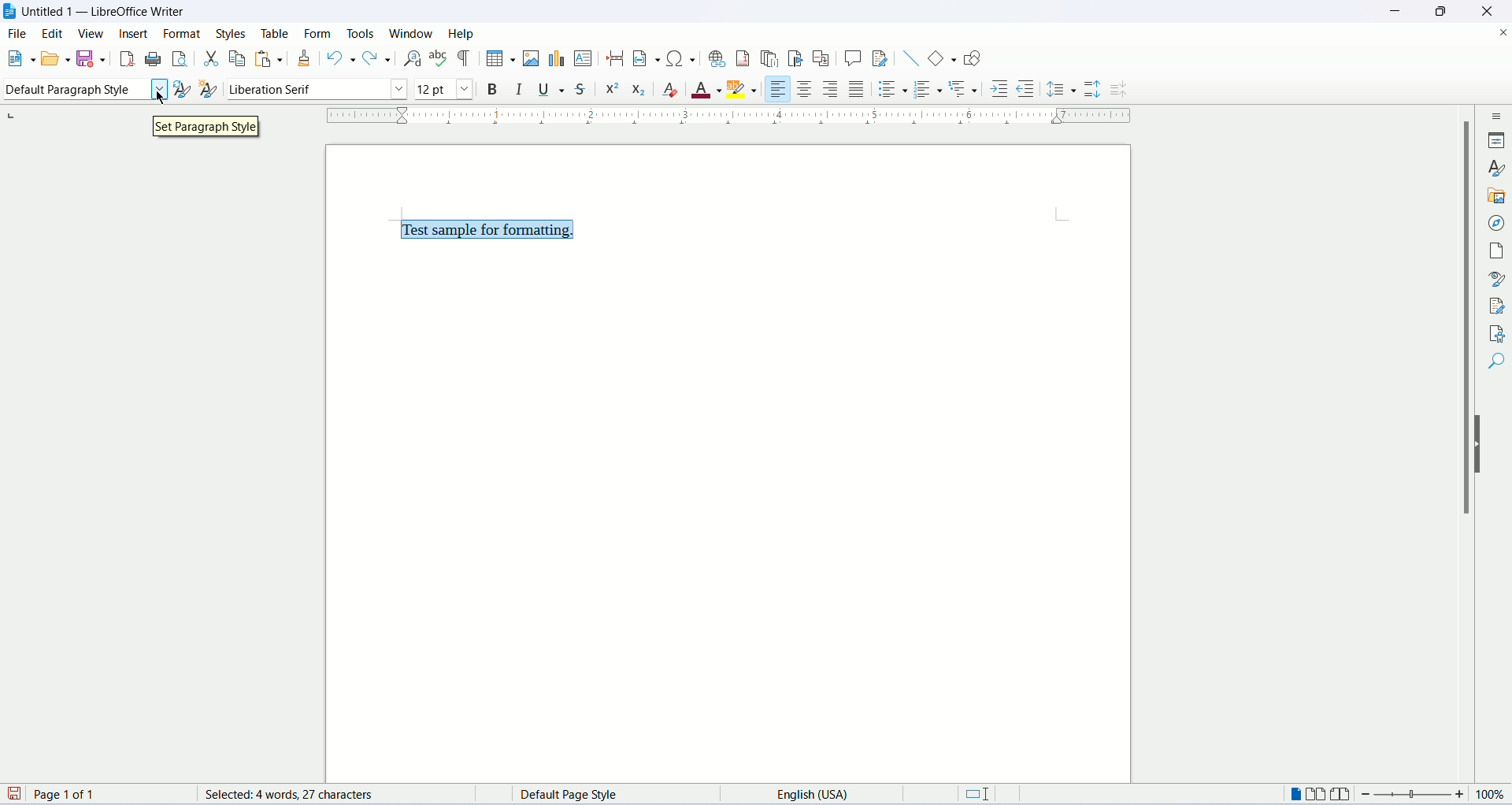  Describe the element at coordinates (615, 59) in the screenshot. I see `page break` at that location.